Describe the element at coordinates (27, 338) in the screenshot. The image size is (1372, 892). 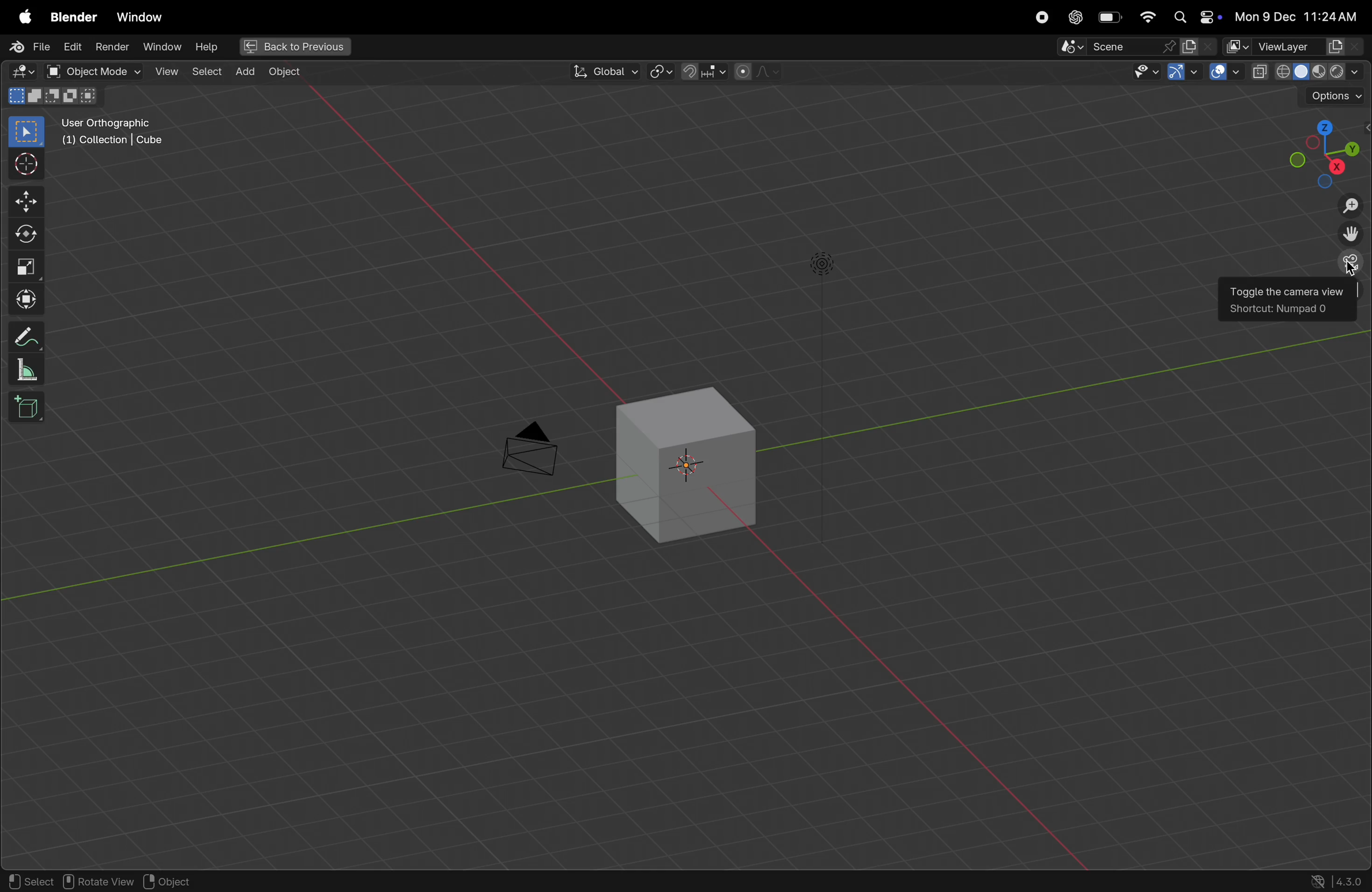
I see `annotate` at that location.